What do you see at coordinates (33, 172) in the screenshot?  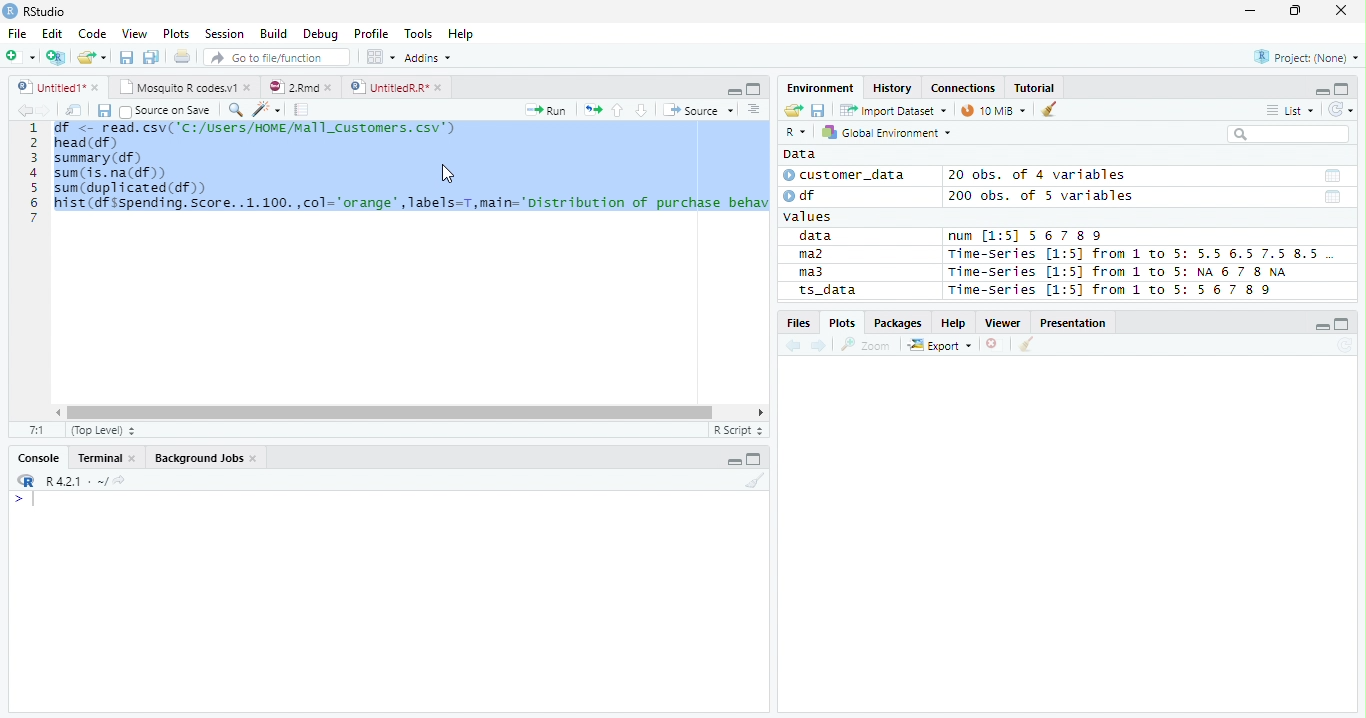 I see `Row Number` at bounding box center [33, 172].